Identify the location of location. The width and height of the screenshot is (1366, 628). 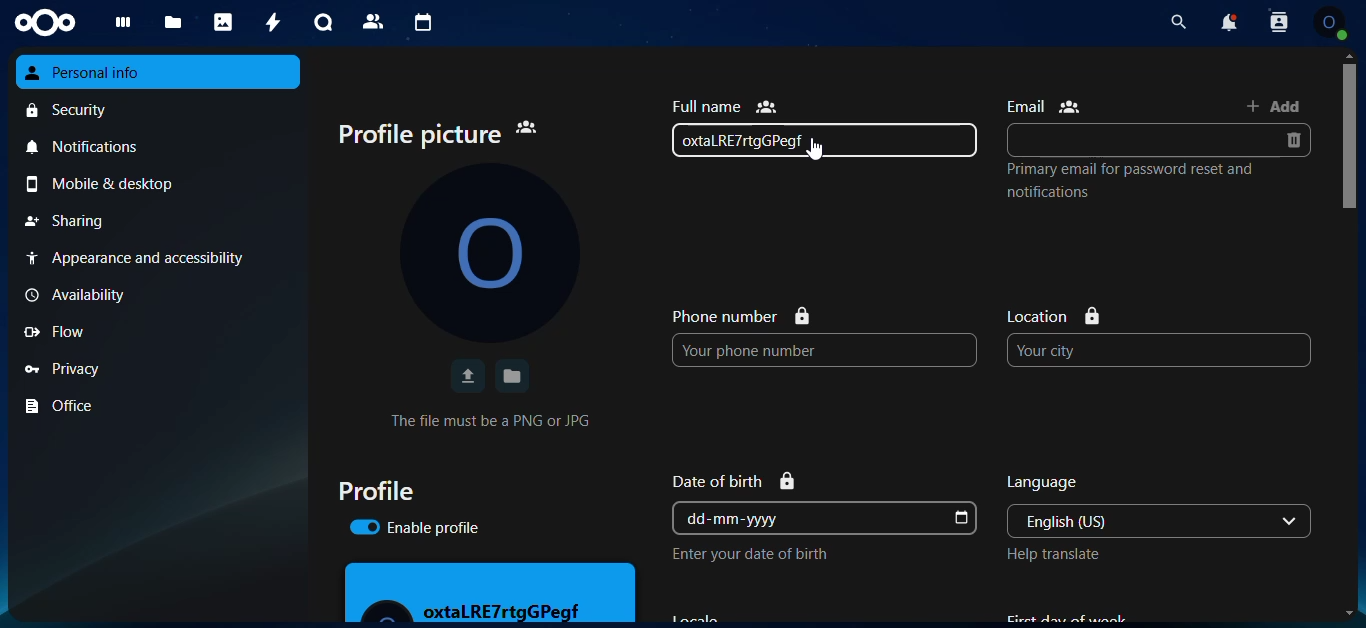
(1055, 316).